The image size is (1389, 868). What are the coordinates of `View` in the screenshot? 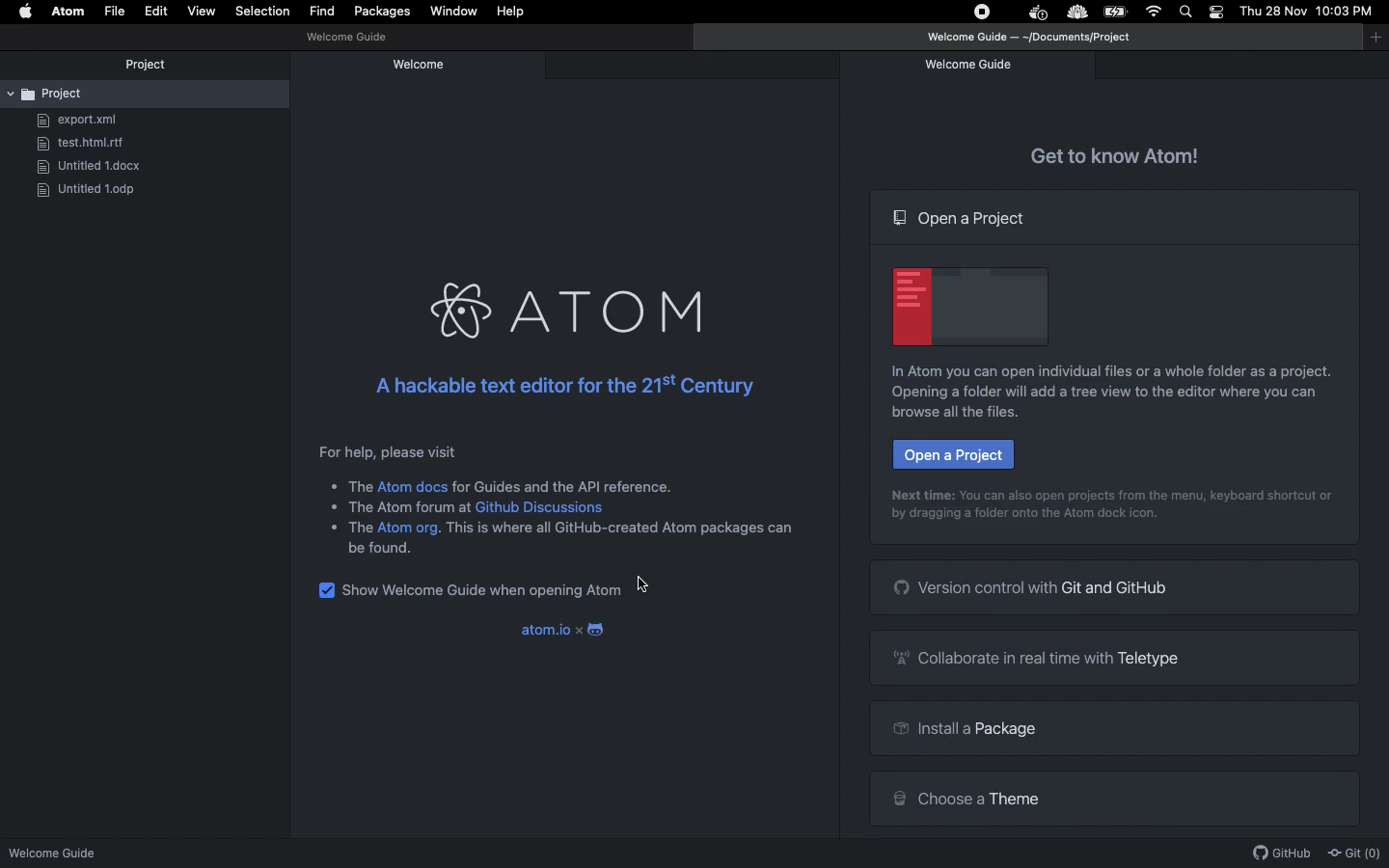 It's located at (201, 11).